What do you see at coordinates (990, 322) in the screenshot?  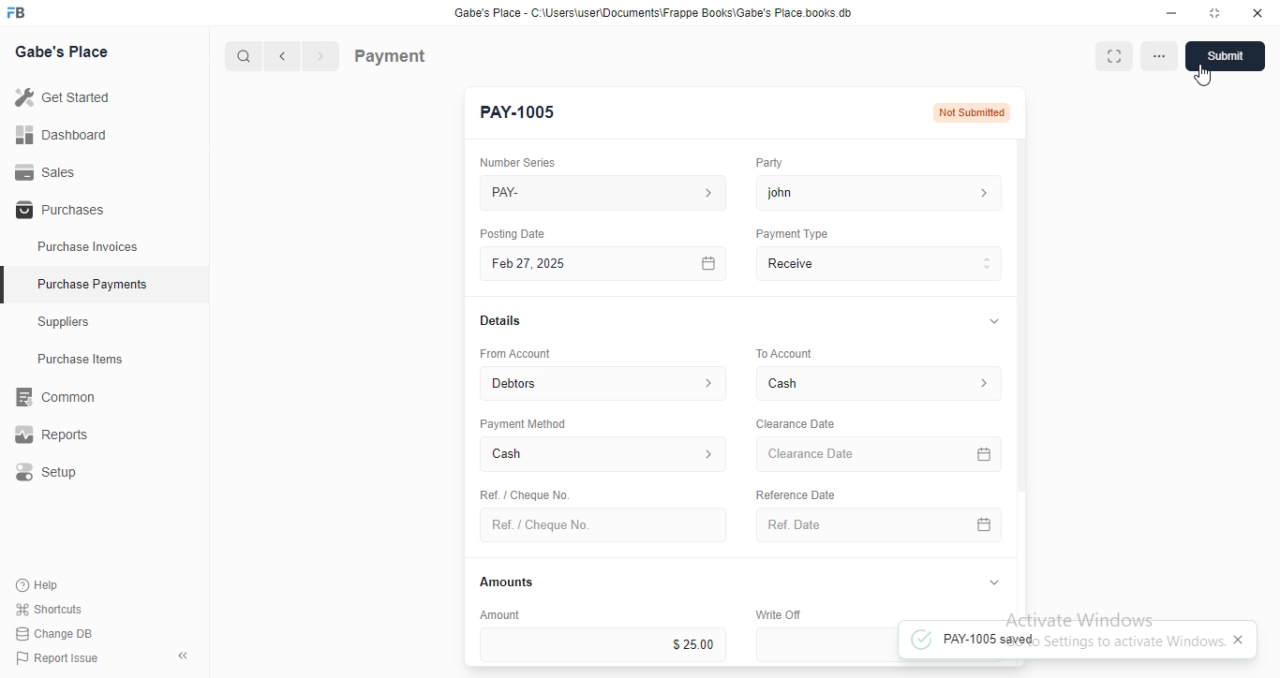 I see `expand/collapse` at bounding box center [990, 322].